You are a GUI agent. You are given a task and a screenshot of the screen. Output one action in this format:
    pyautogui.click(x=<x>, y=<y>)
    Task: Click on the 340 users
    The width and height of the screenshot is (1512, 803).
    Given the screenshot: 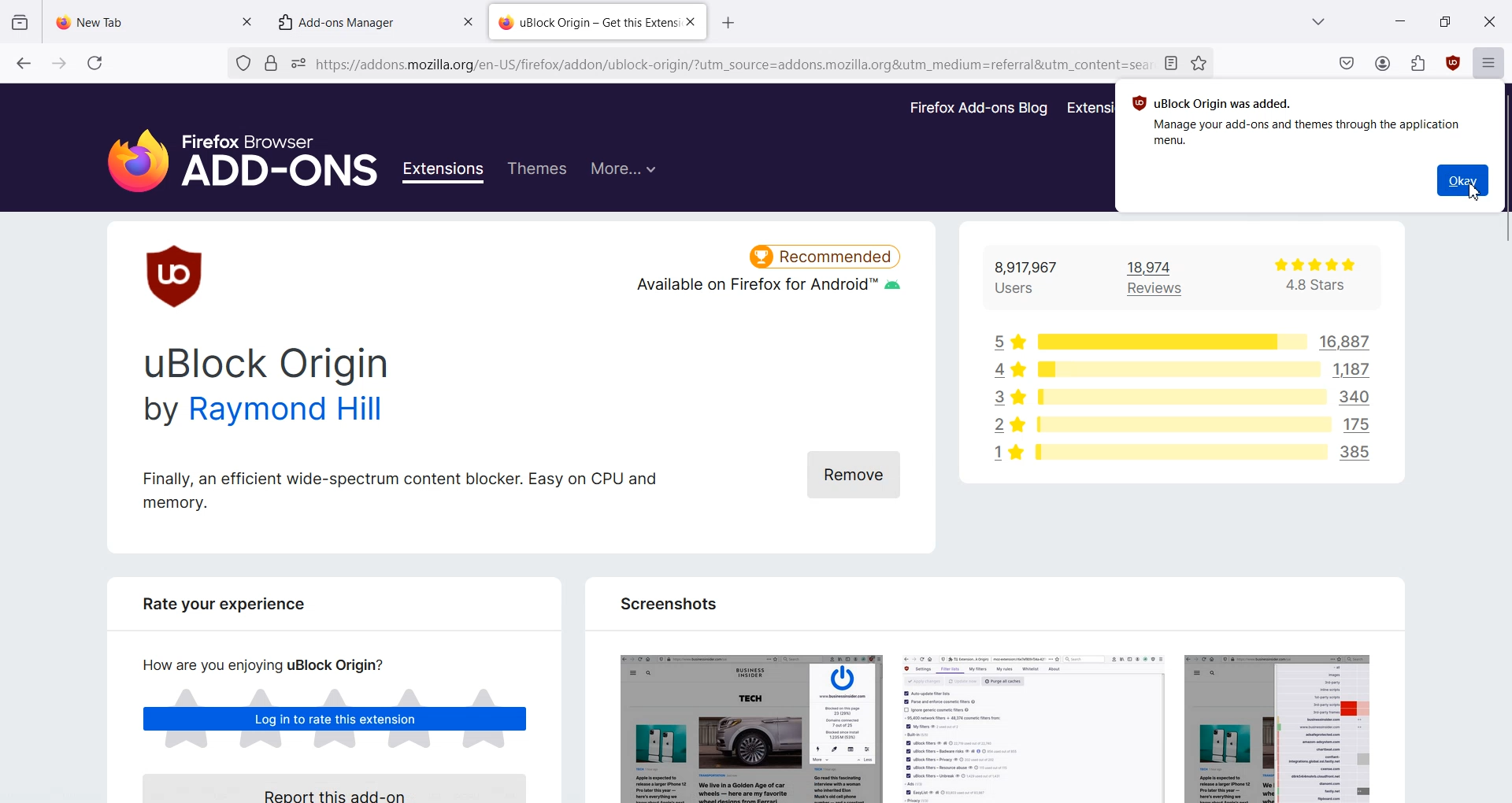 What is the action you would take?
    pyautogui.click(x=1359, y=397)
    